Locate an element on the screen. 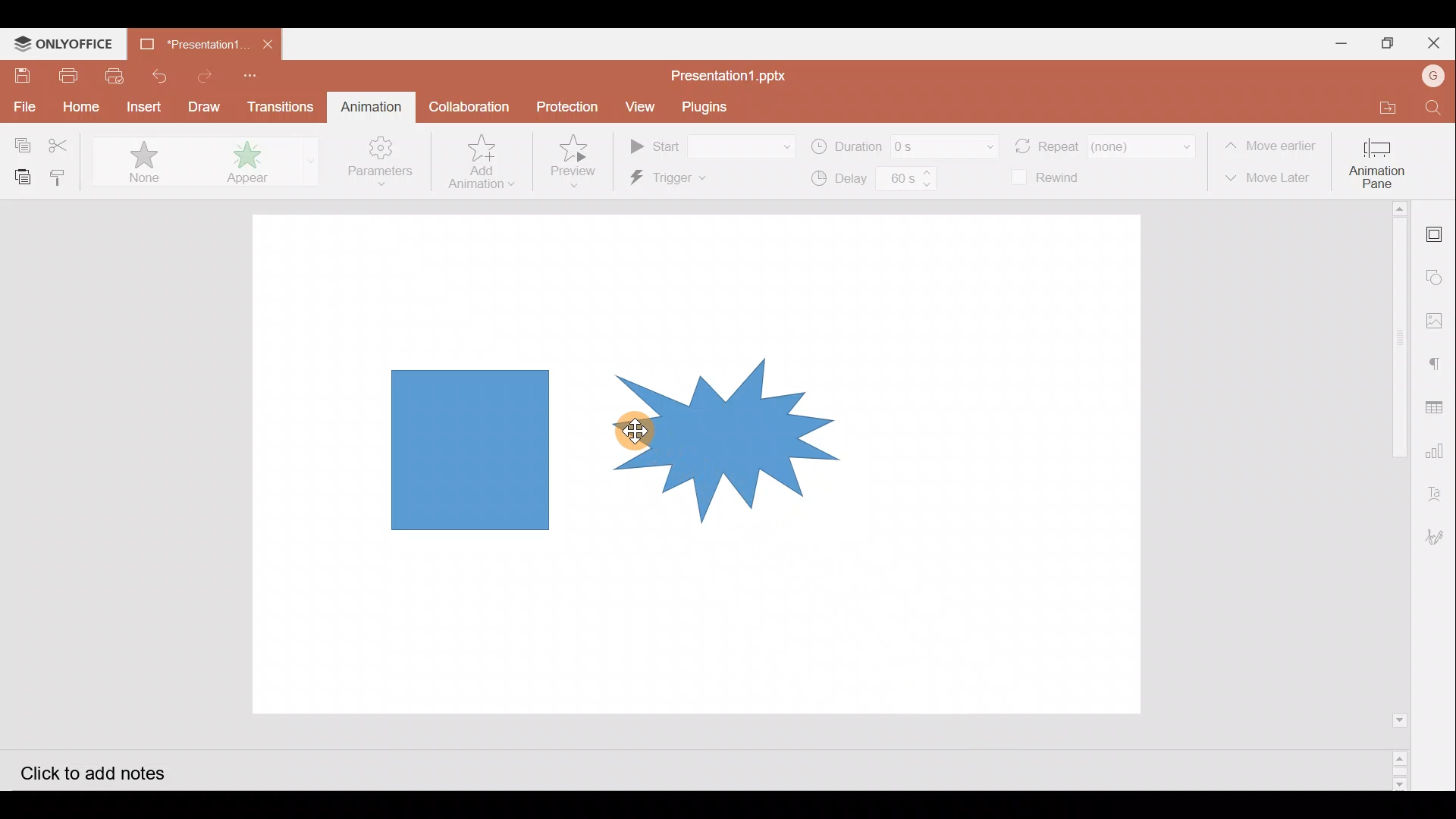  Shapes settings is located at coordinates (1438, 279).